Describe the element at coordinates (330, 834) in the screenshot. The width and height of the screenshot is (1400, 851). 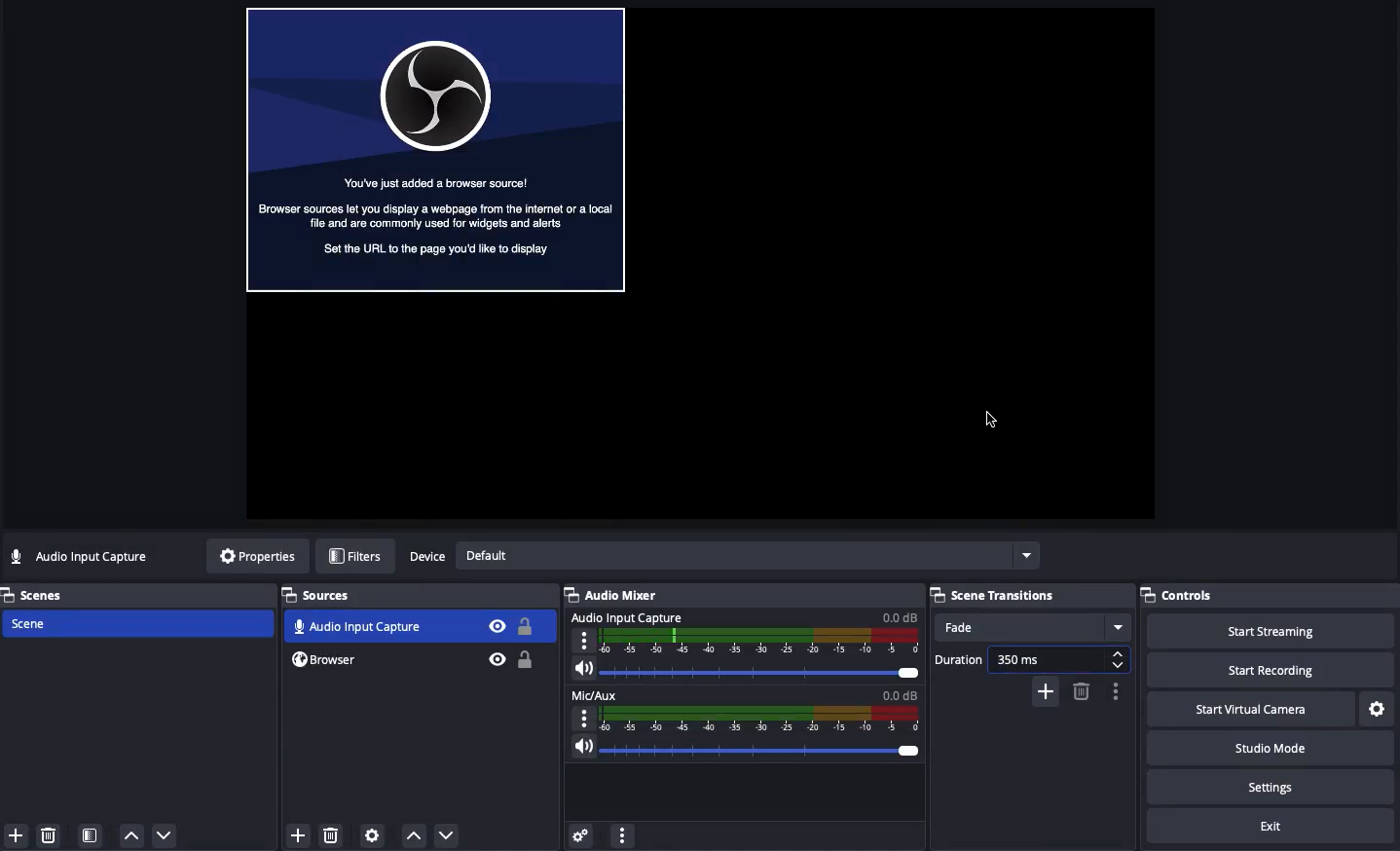
I see `Delete` at that location.